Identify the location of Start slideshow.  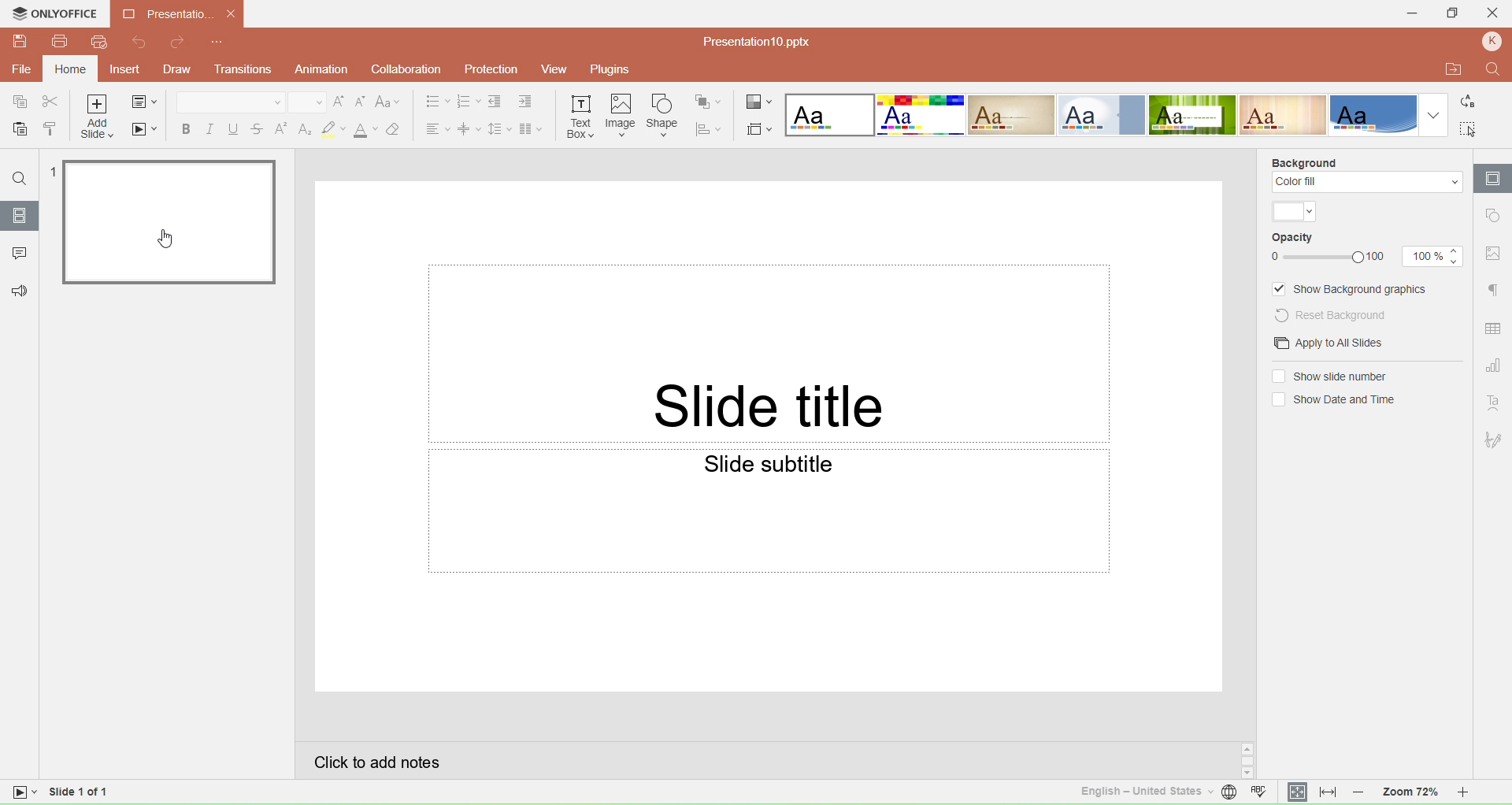
(146, 132).